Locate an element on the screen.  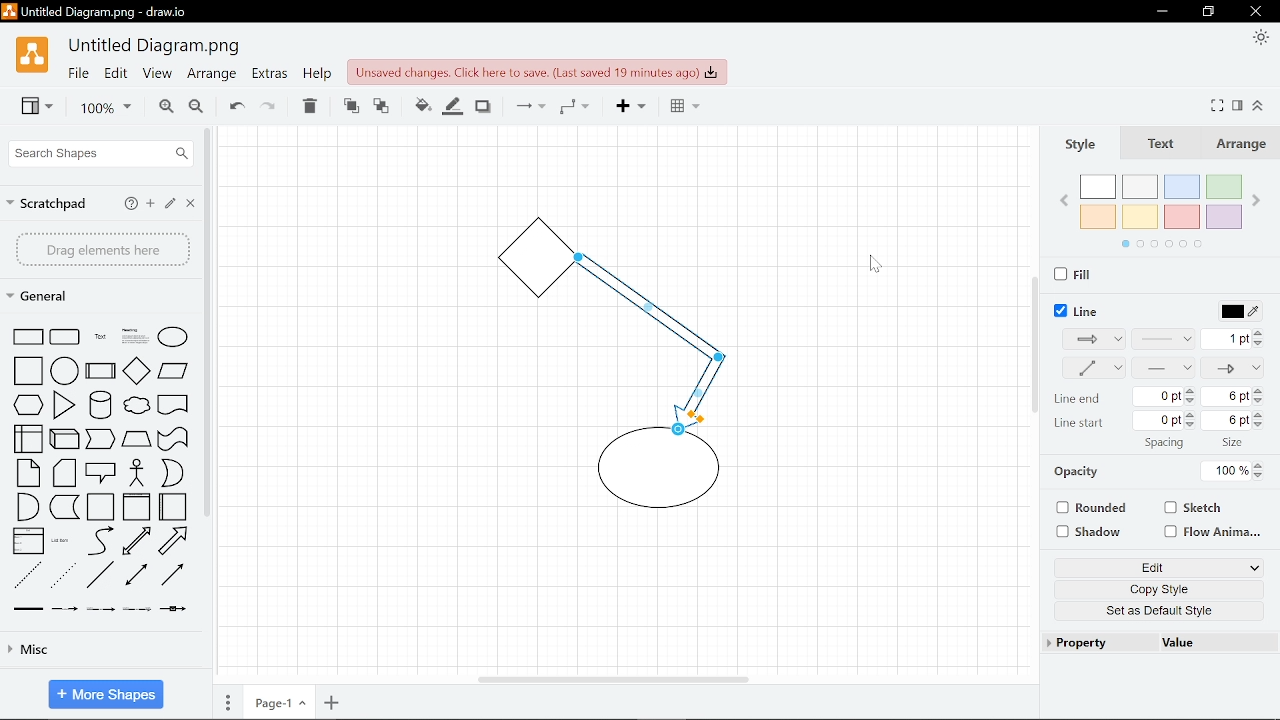
» Property is located at coordinates (1080, 642).